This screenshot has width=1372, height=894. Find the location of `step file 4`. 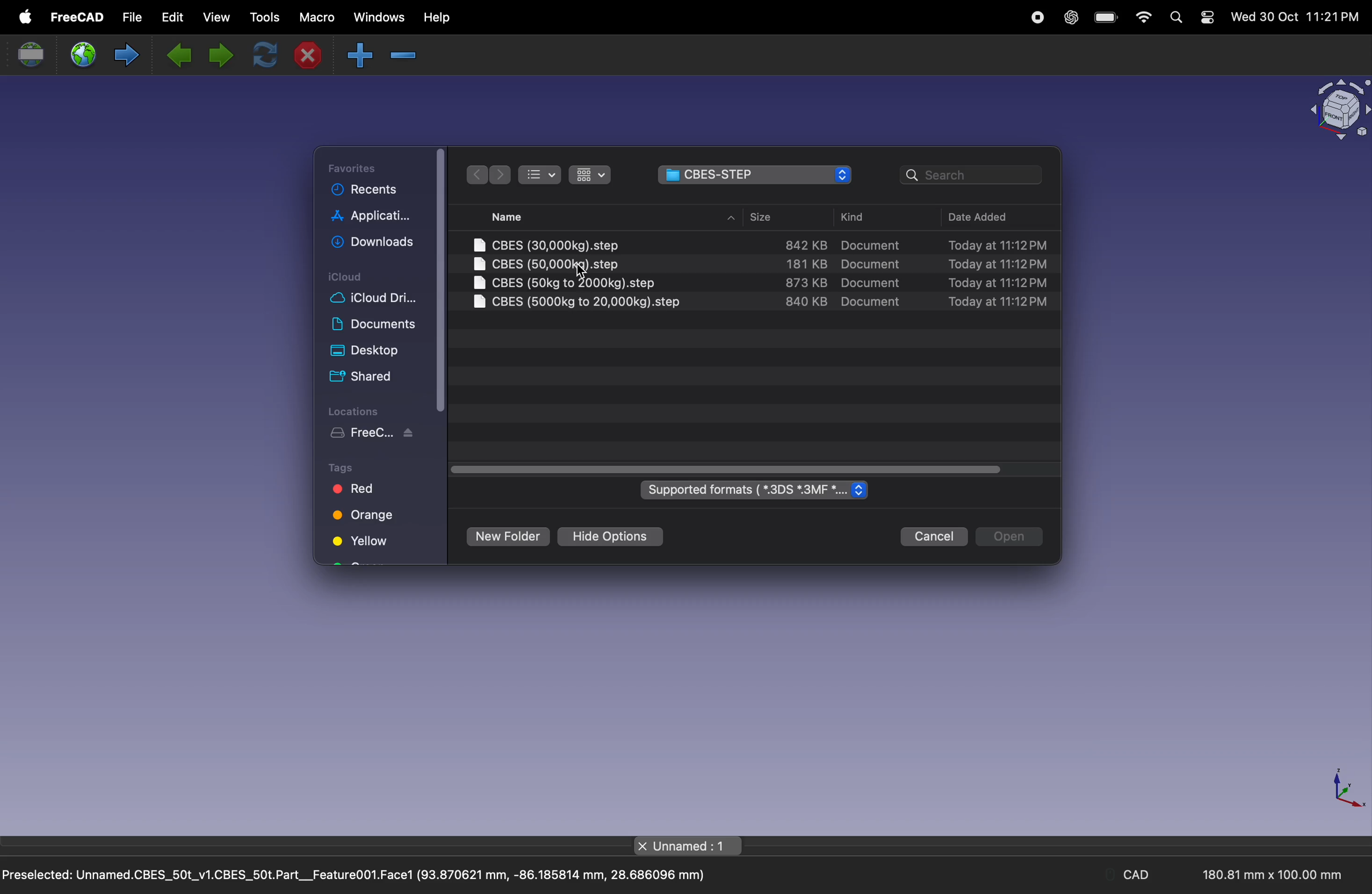

step file 4 is located at coordinates (758, 302).